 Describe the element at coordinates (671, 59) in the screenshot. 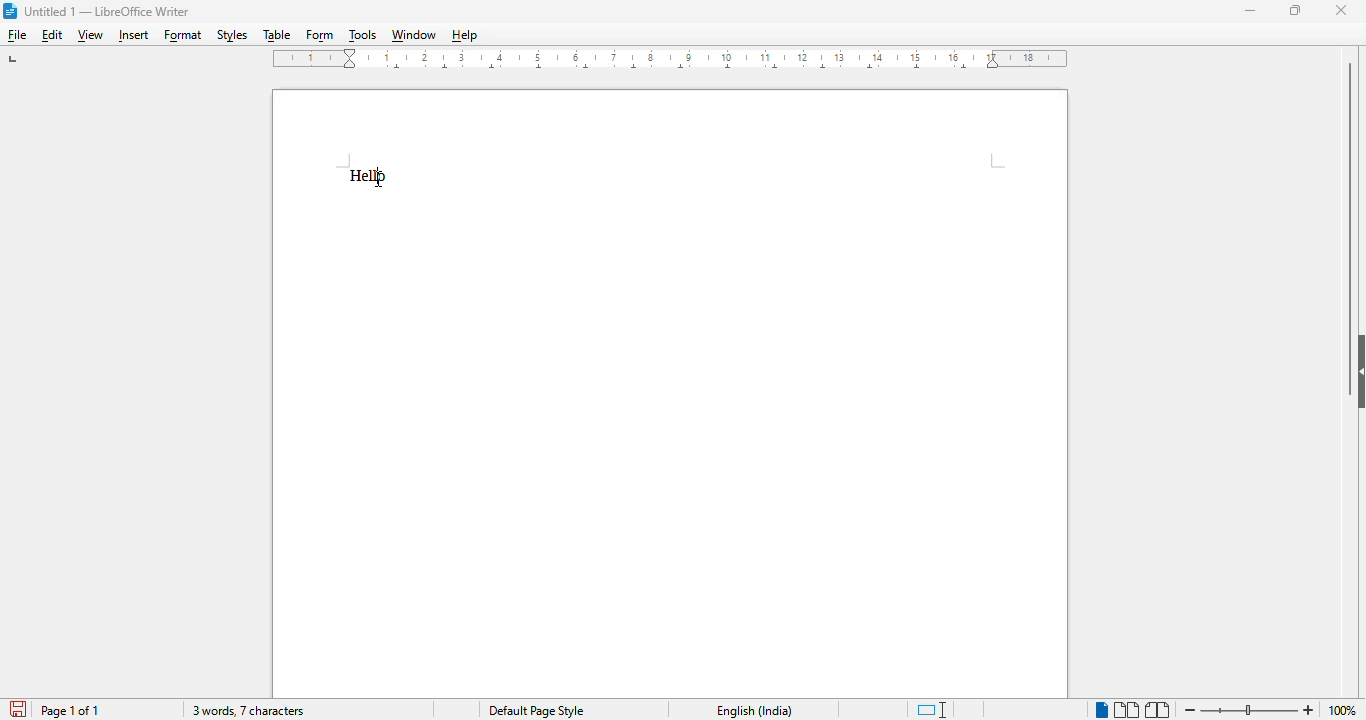

I see `ruler` at that location.